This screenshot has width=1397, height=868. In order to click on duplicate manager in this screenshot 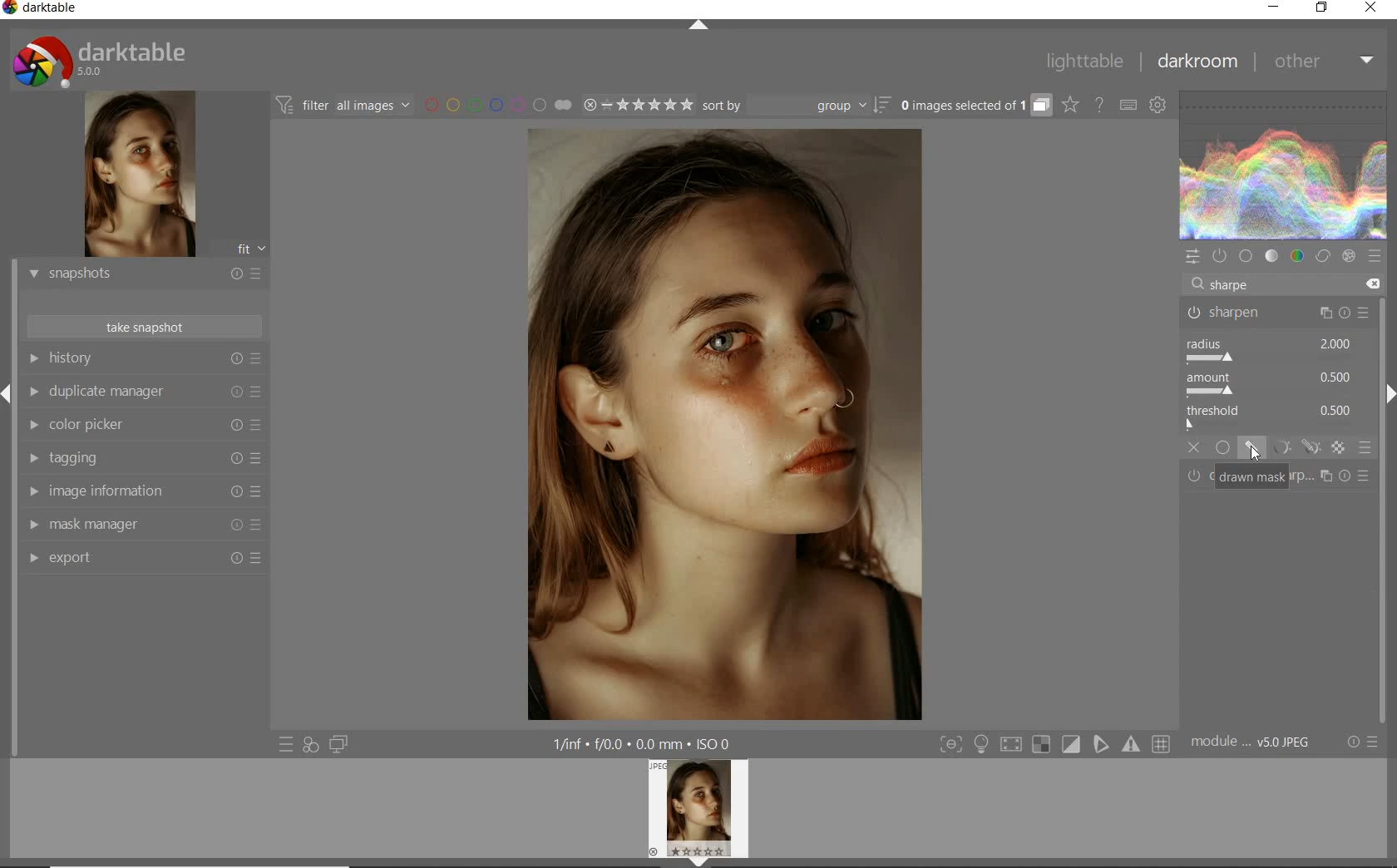, I will do `click(144, 394)`.